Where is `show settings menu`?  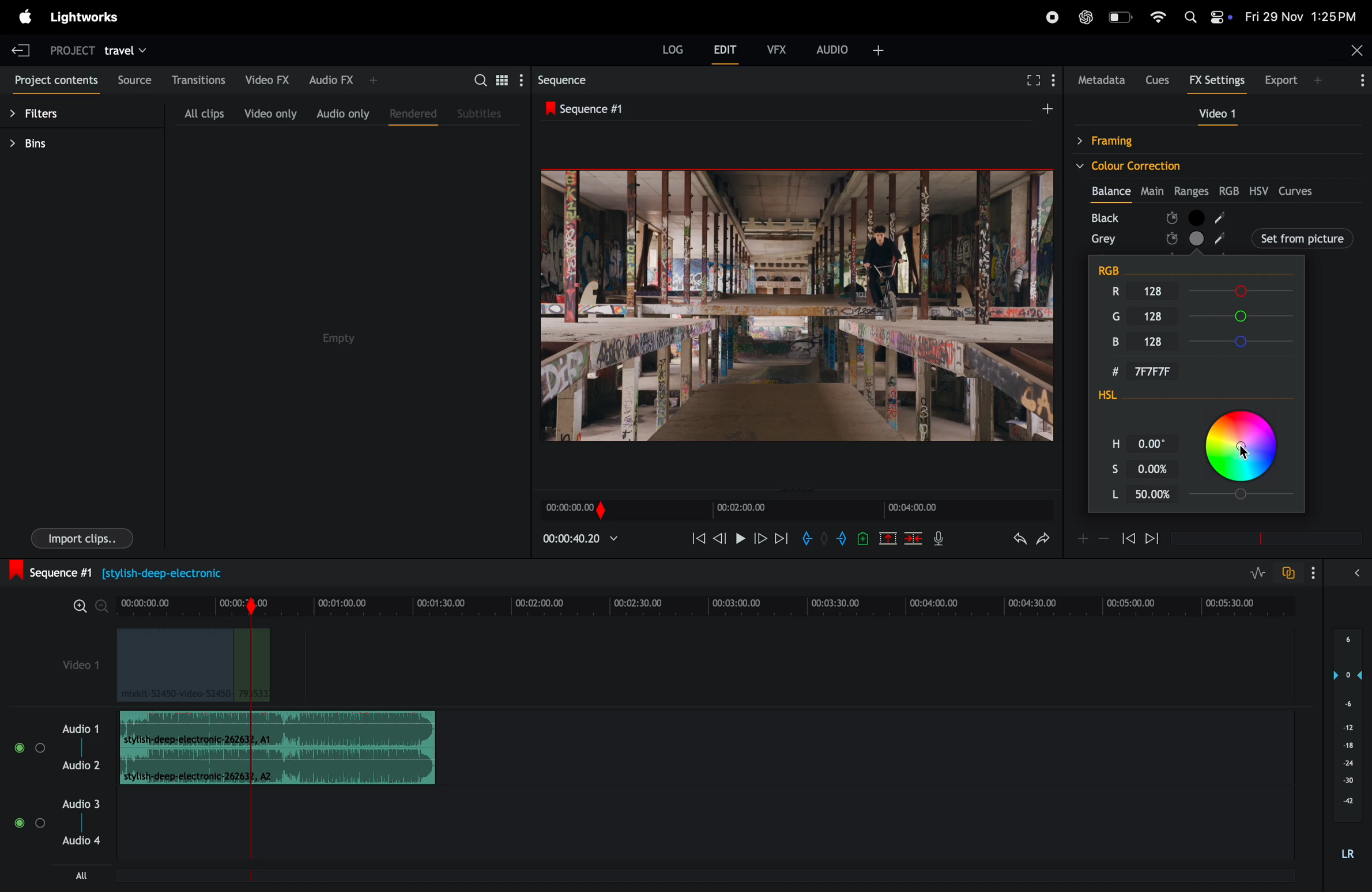
show settings menu is located at coordinates (1311, 571).